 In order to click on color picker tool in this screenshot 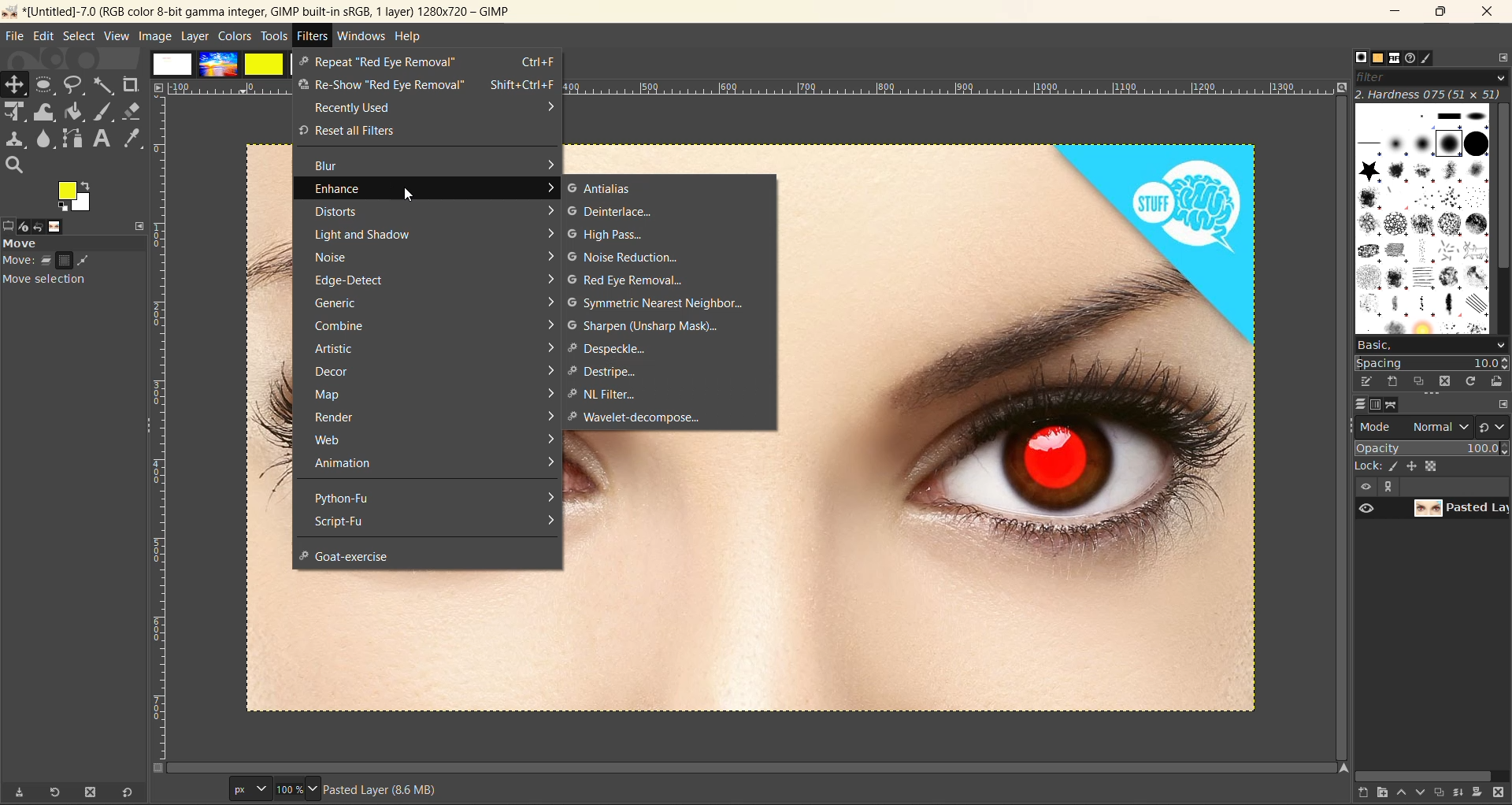, I will do `click(134, 139)`.